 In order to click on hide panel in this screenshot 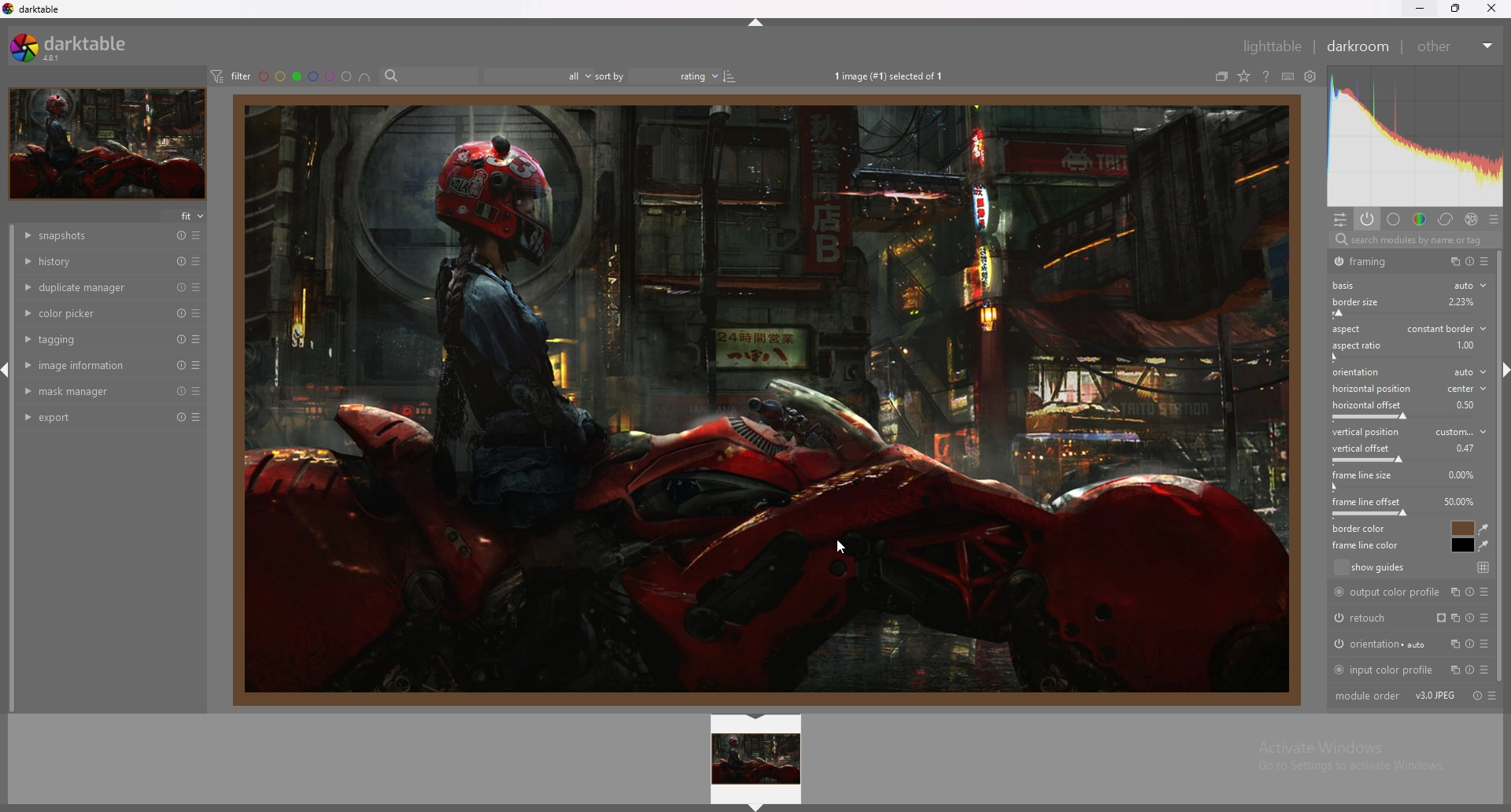, I will do `click(759, 805)`.